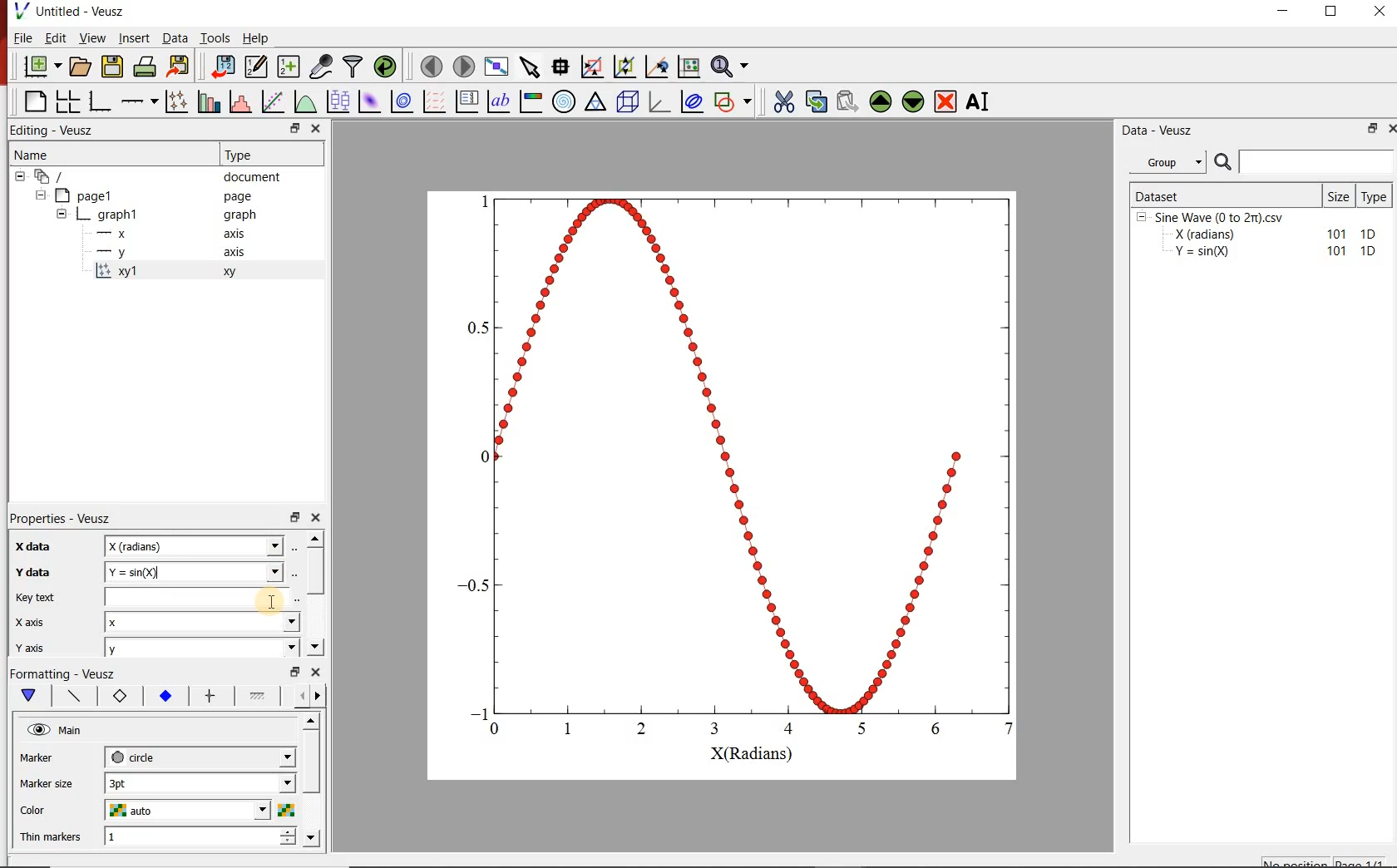  What do you see at coordinates (47, 782) in the screenshot?
I see `Auto mirror` at bounding box center [47, 782].